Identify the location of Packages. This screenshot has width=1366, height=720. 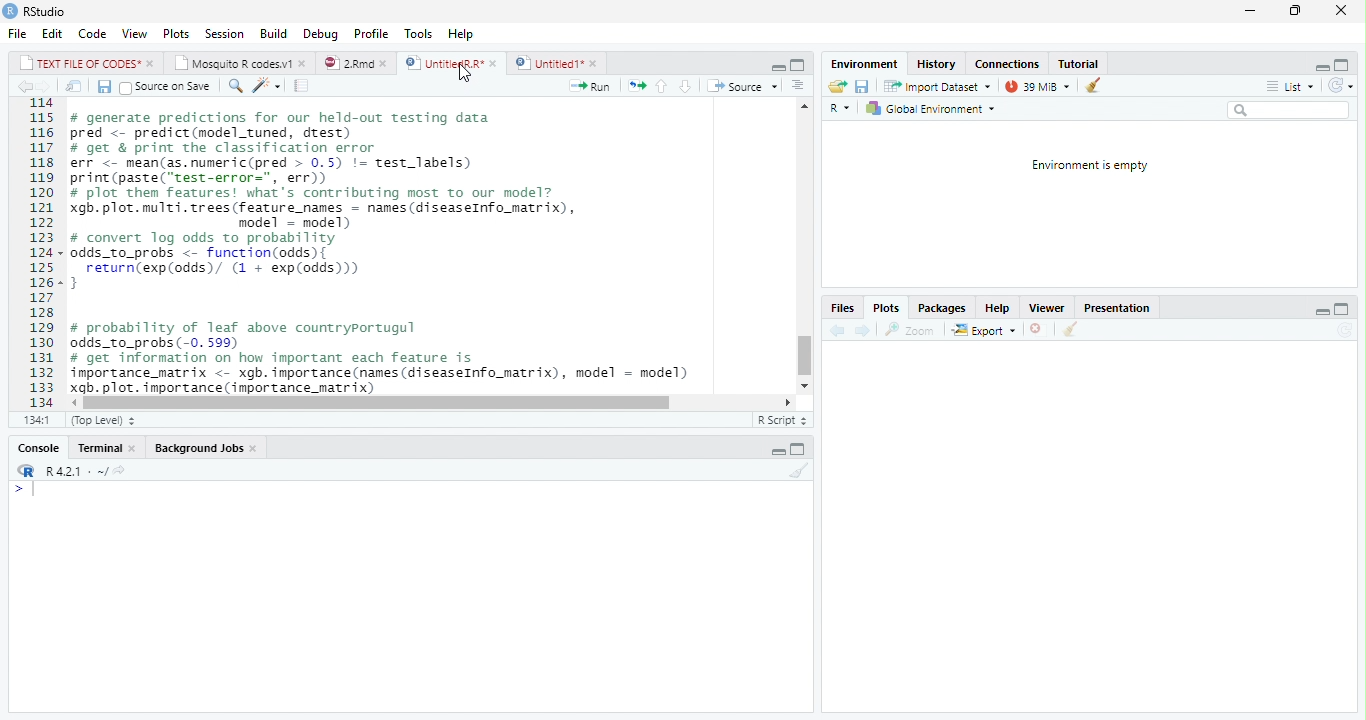
(942, 308).